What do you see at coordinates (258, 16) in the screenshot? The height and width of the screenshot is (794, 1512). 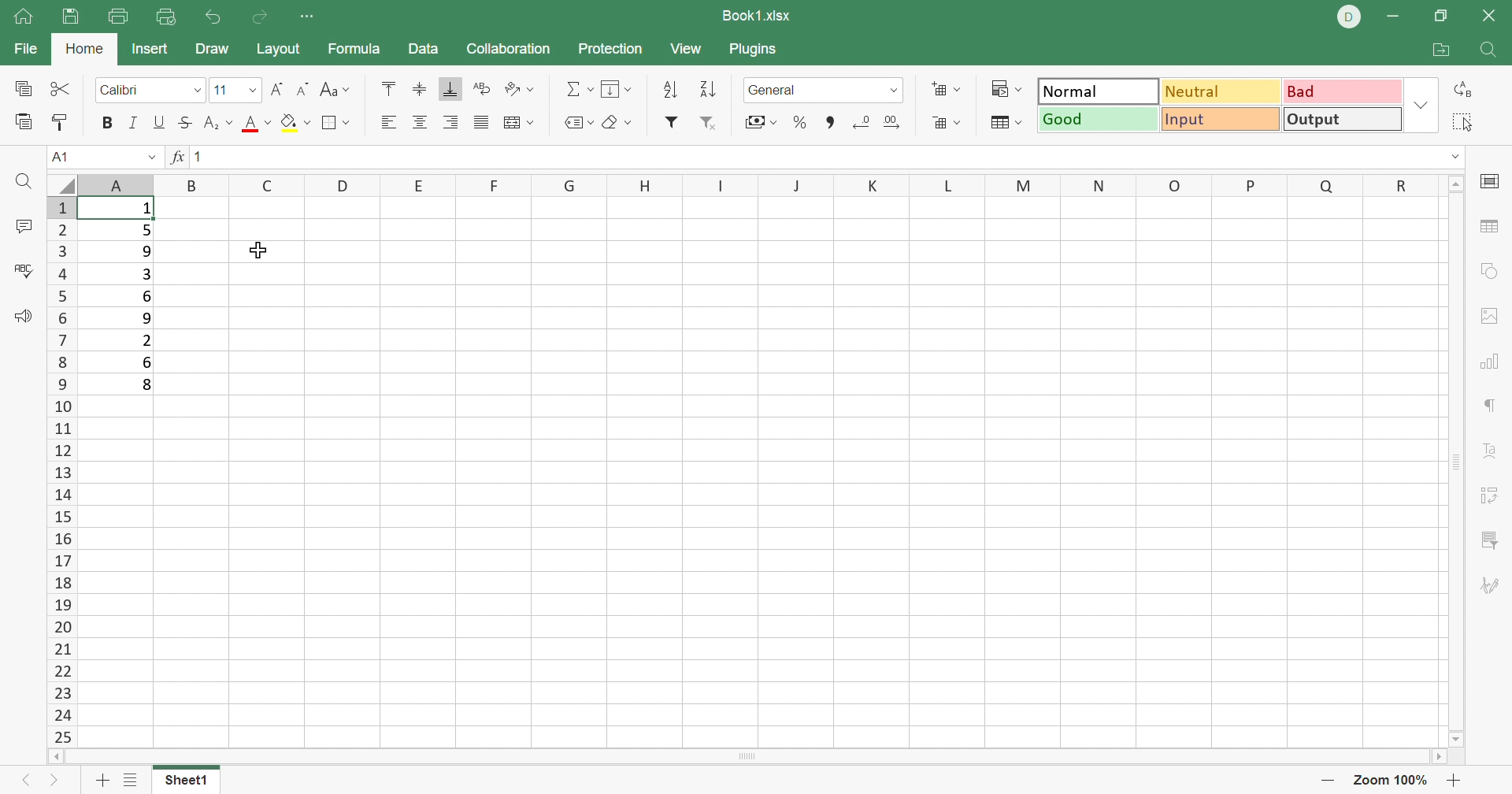 I see `Redo` at bounding box center [258, 16].